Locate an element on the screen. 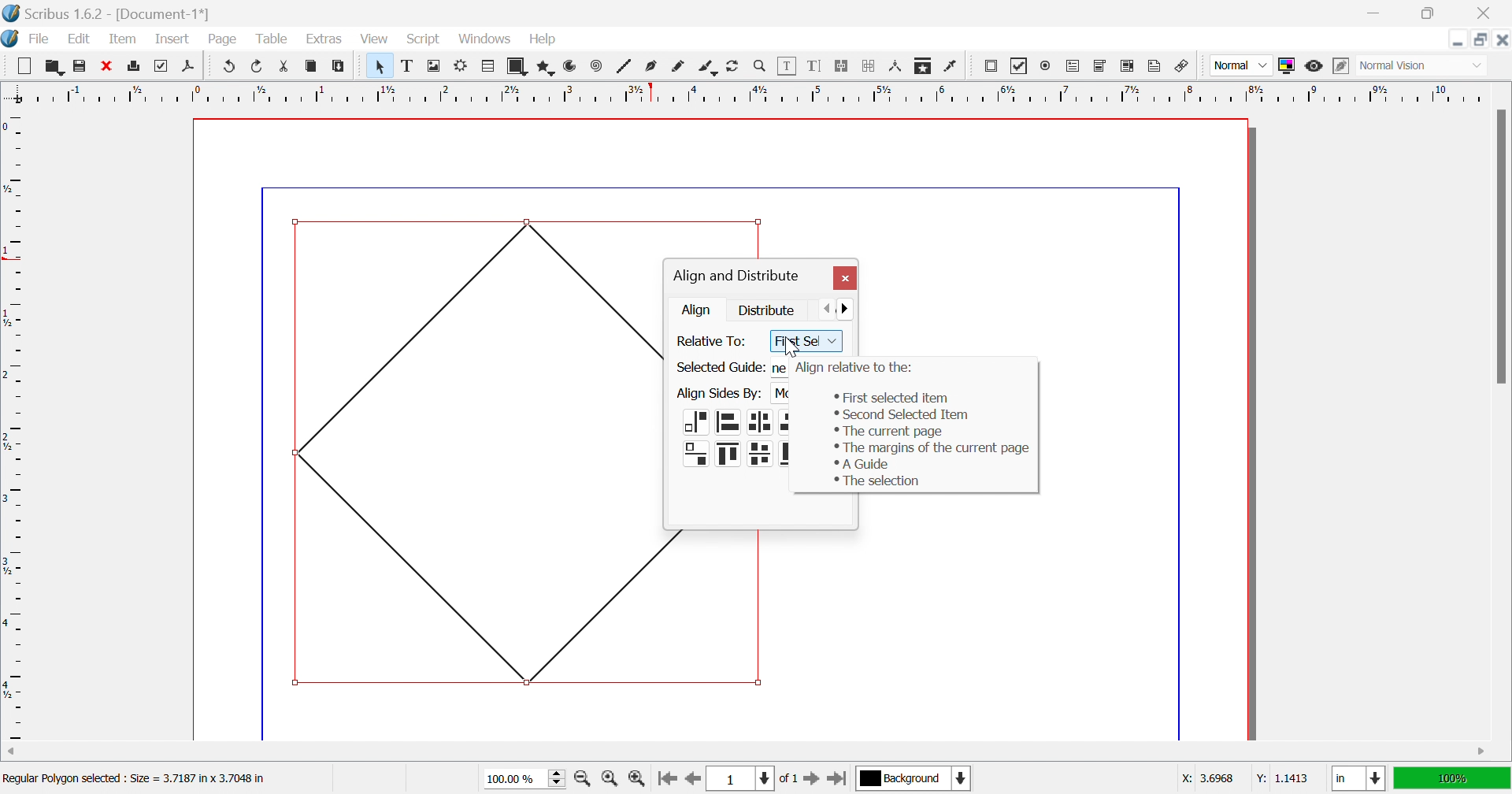 This screenshot has width=1512, height=794. Link Annotation is located at coordinates (1182, 68).